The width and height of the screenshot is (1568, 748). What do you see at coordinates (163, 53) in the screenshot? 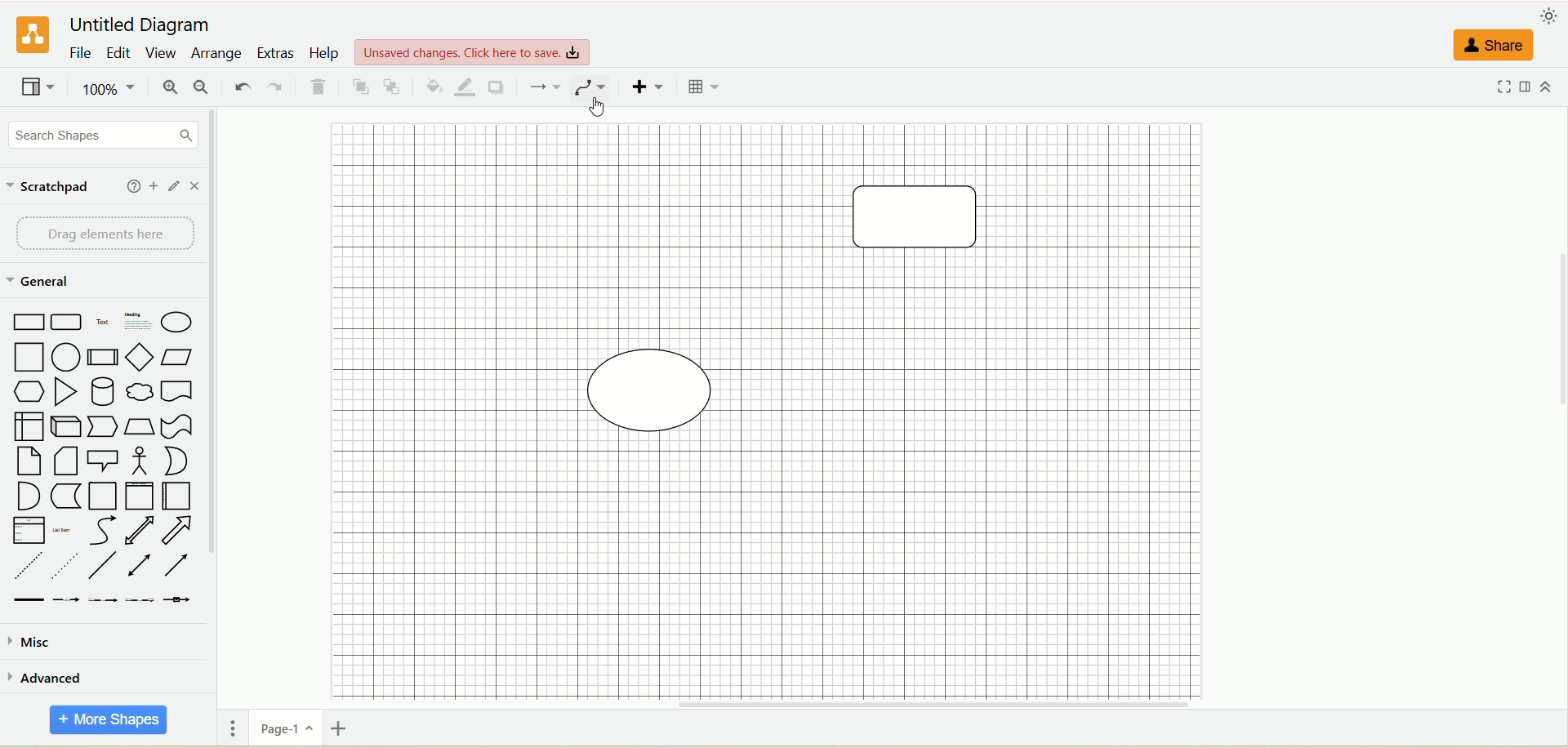
I see `view` at bounding box center [163, 53].